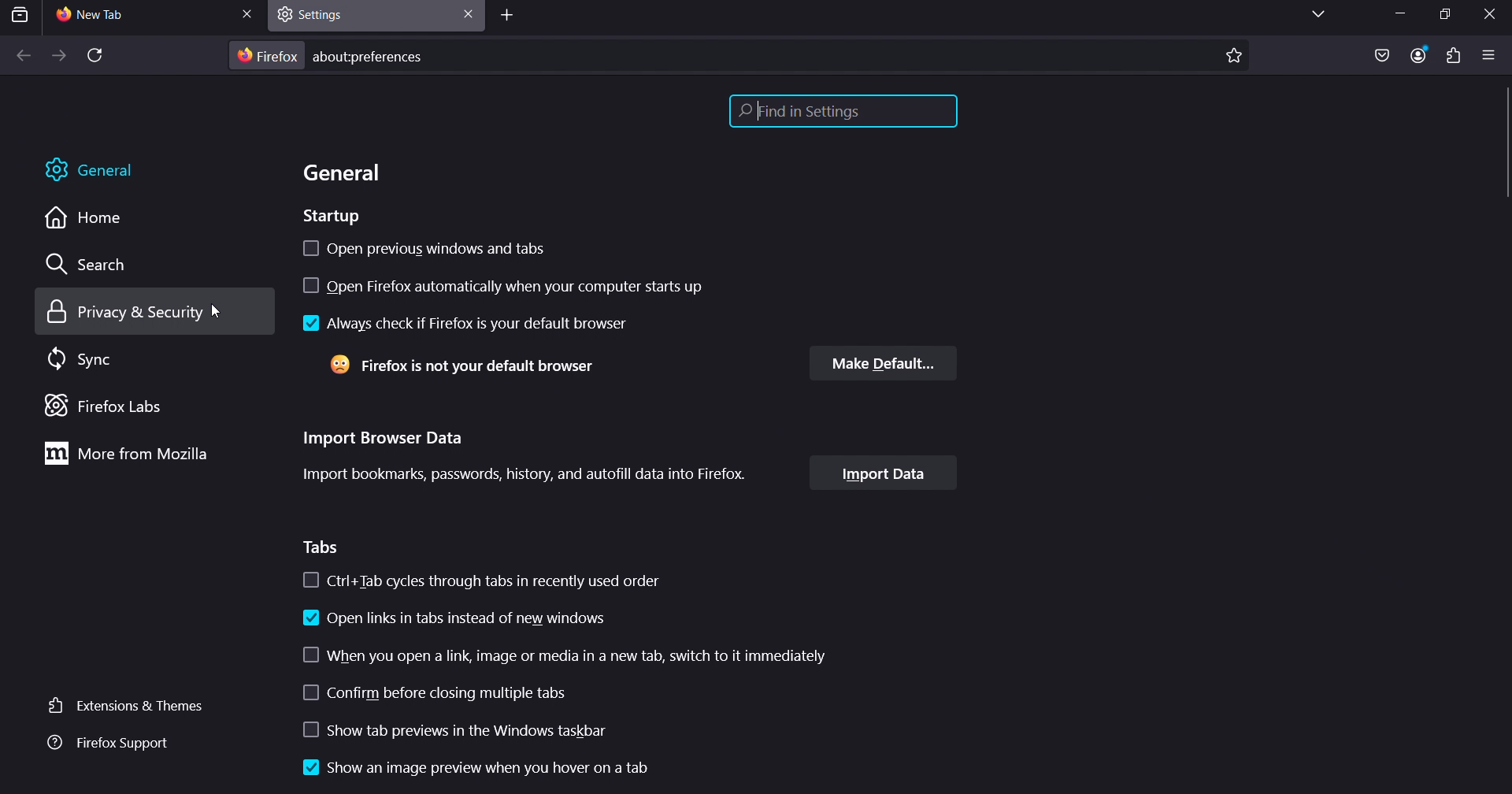 This screenshot has height=794, width=1512. What do you see at coordinates (465, 13) in the screenshot?
I see `close tab` at bounding box center [465, 13].